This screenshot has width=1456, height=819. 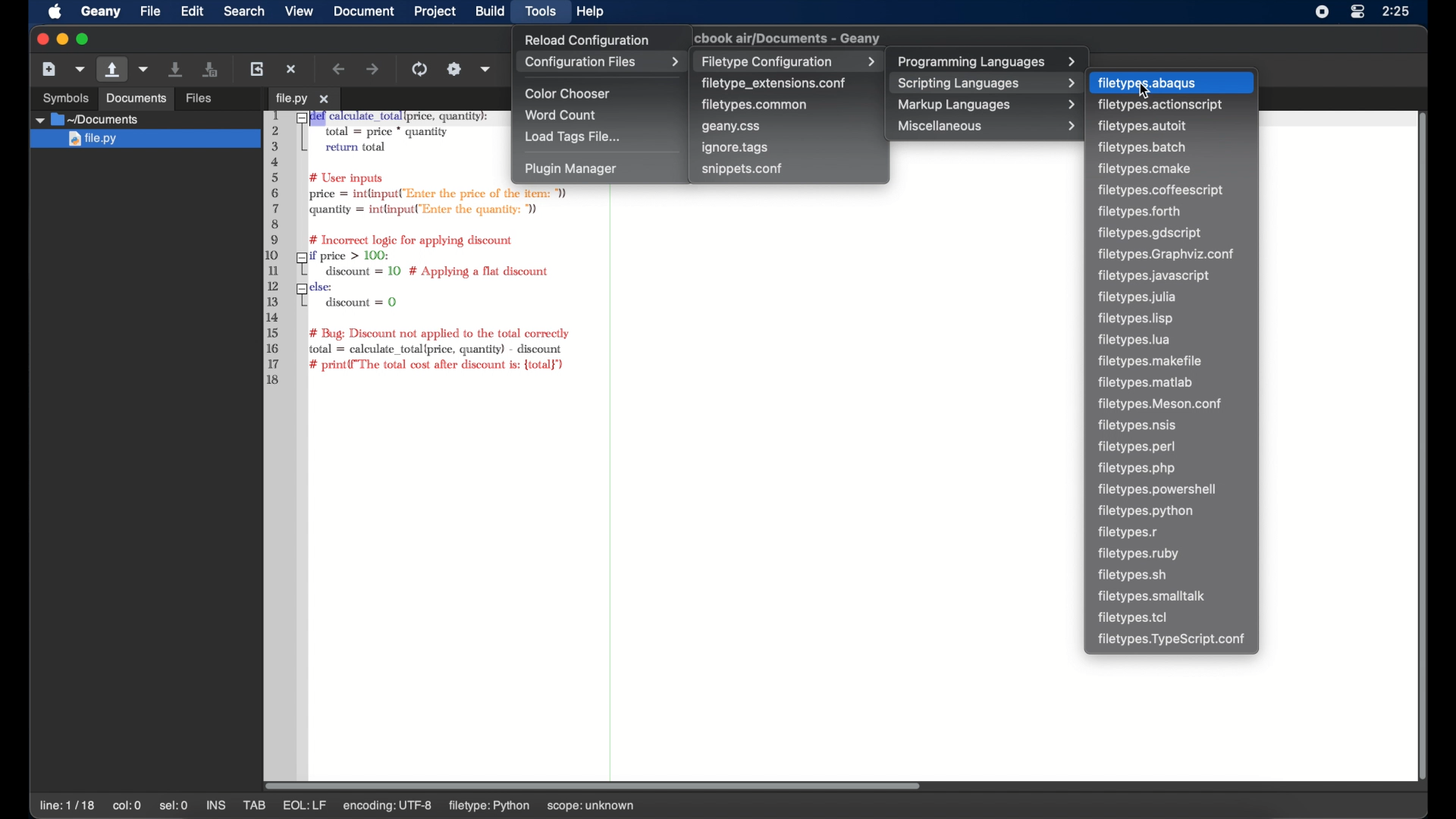 What do you see at coordinates (1162, 105) in the screenshot?
I see `filetypes` at bounding box center [1162, 105].